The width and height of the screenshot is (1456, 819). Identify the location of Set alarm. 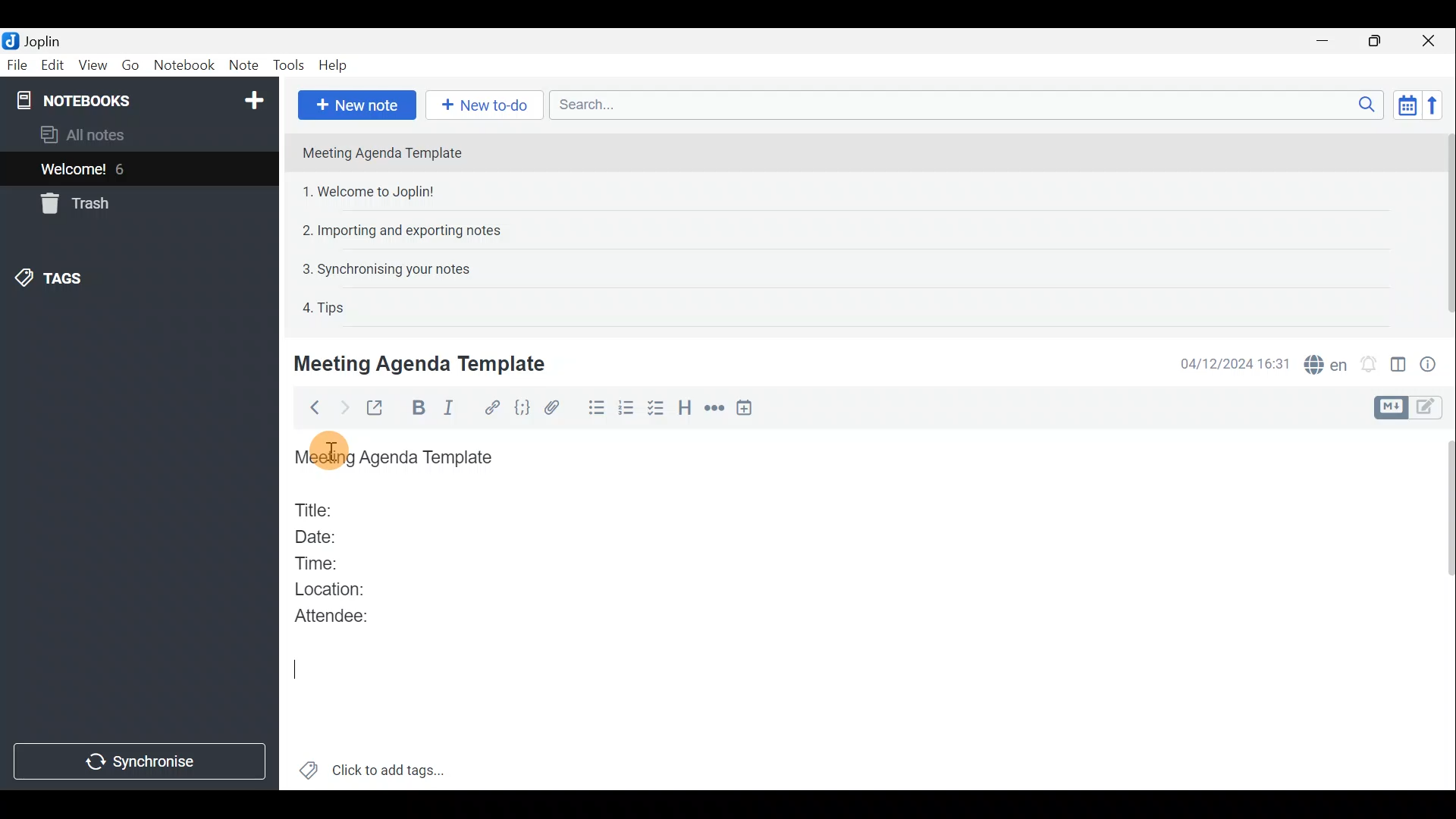
(1370, 364).